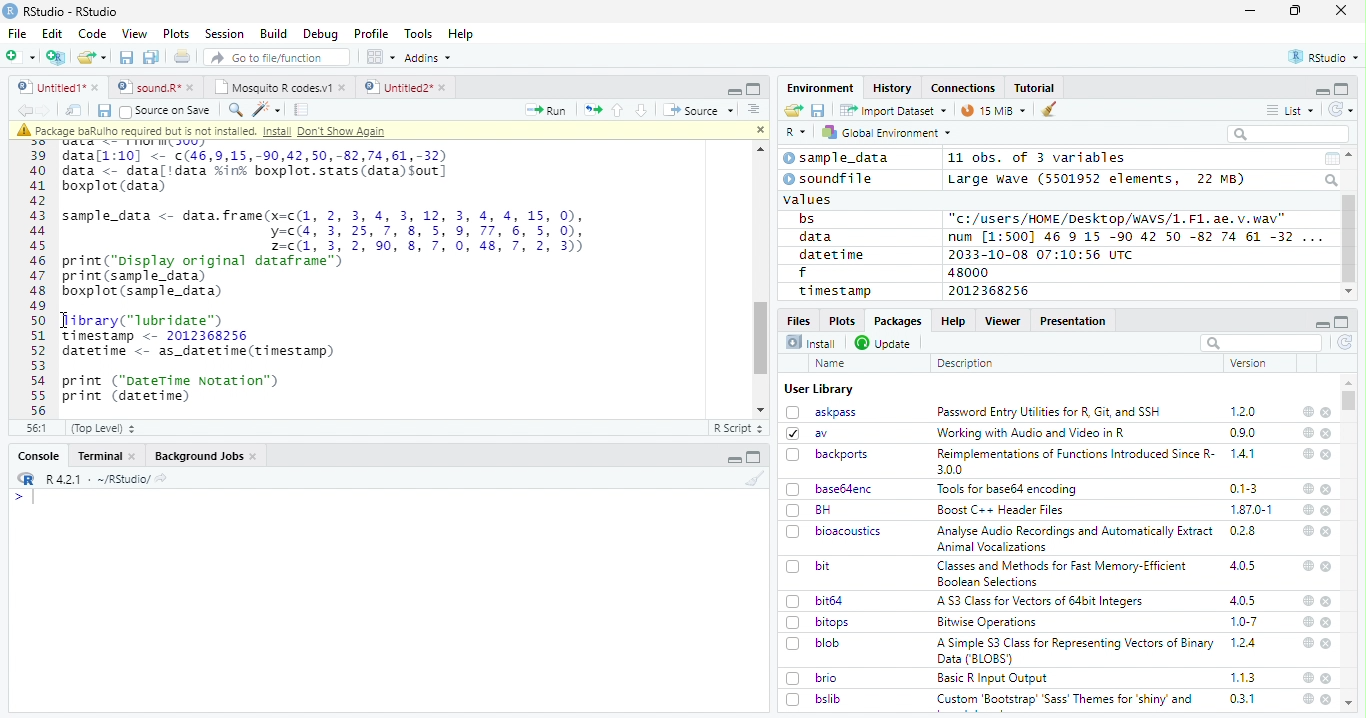 Image resolution: width=1366 pixels, height=718 pixels. I want to click on 0.9.0, so click(1243, 433).